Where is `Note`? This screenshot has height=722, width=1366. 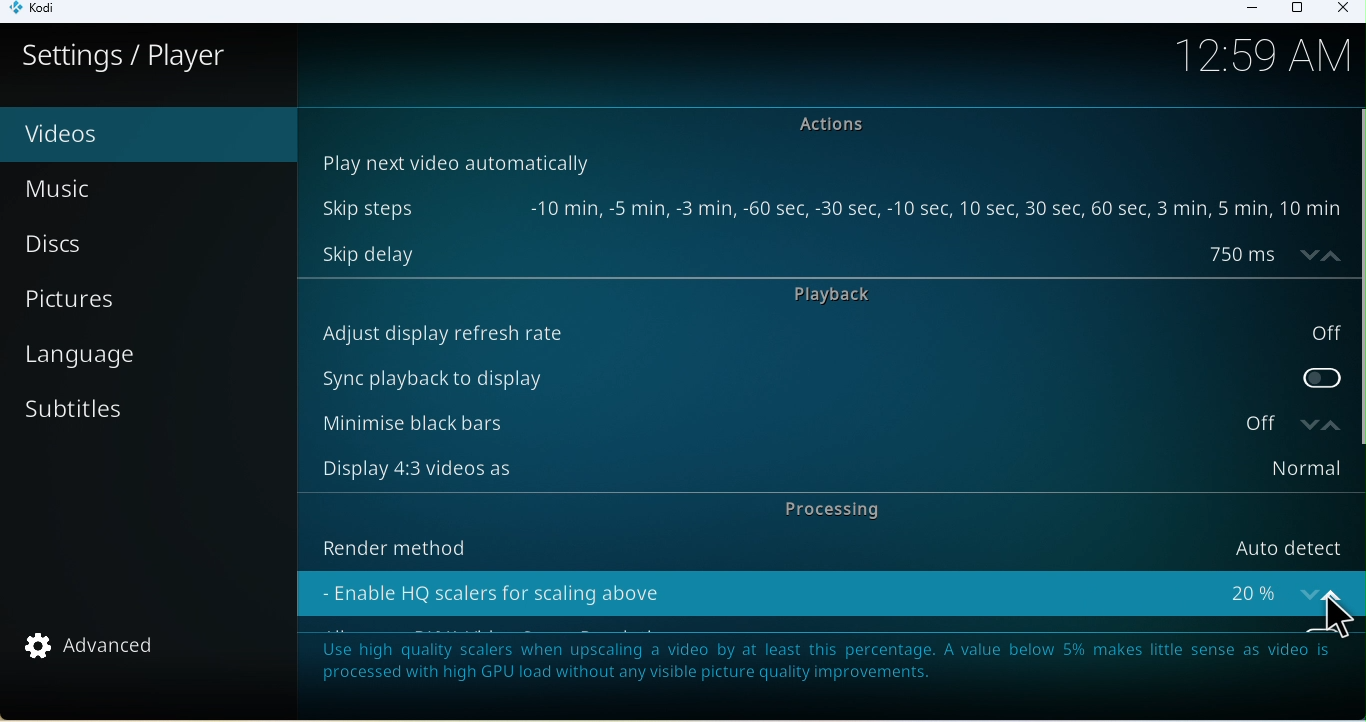 Note is located at coordinates (829, 670).